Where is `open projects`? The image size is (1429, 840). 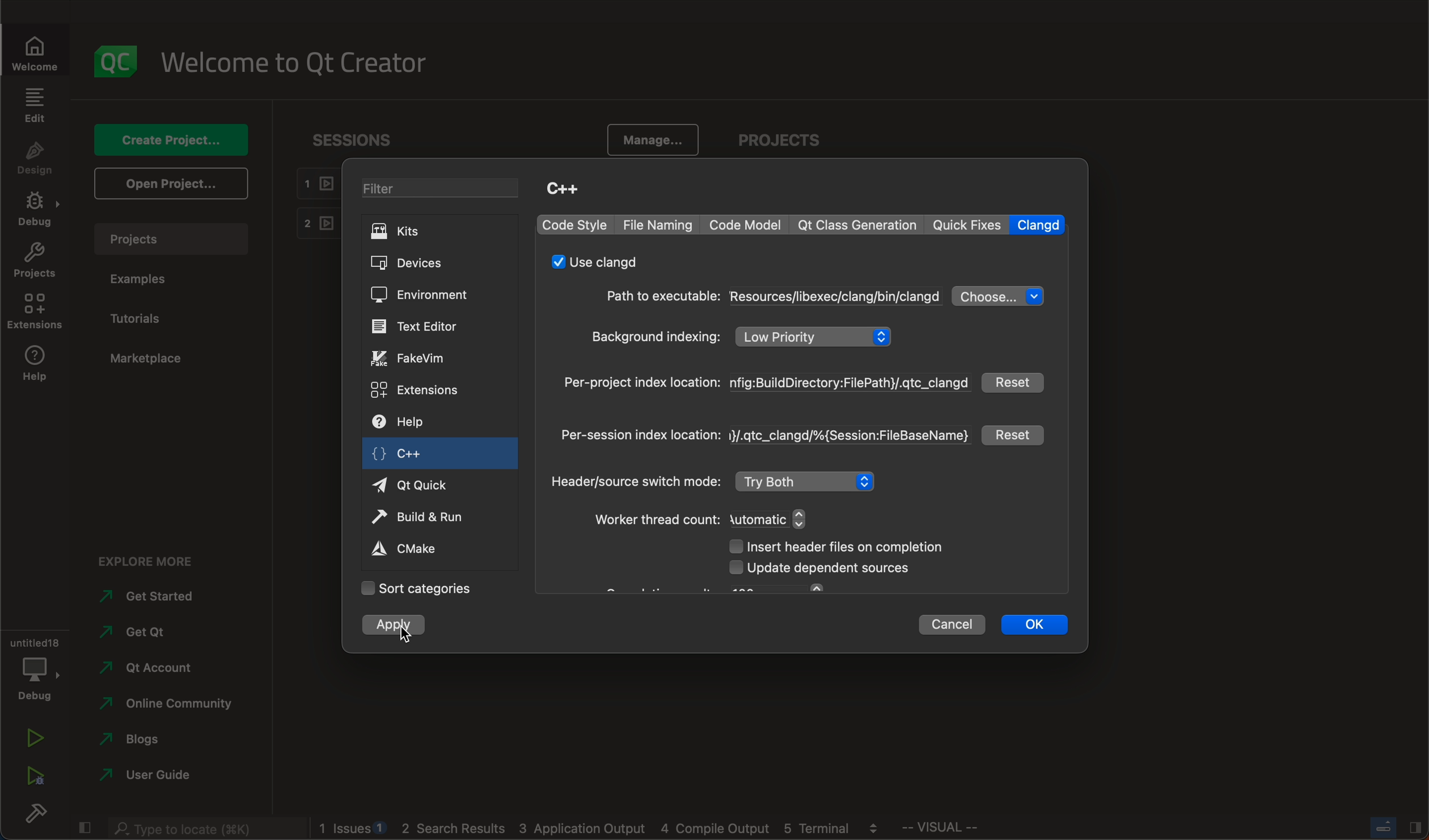 open projects is located at coordinates (175, 183).